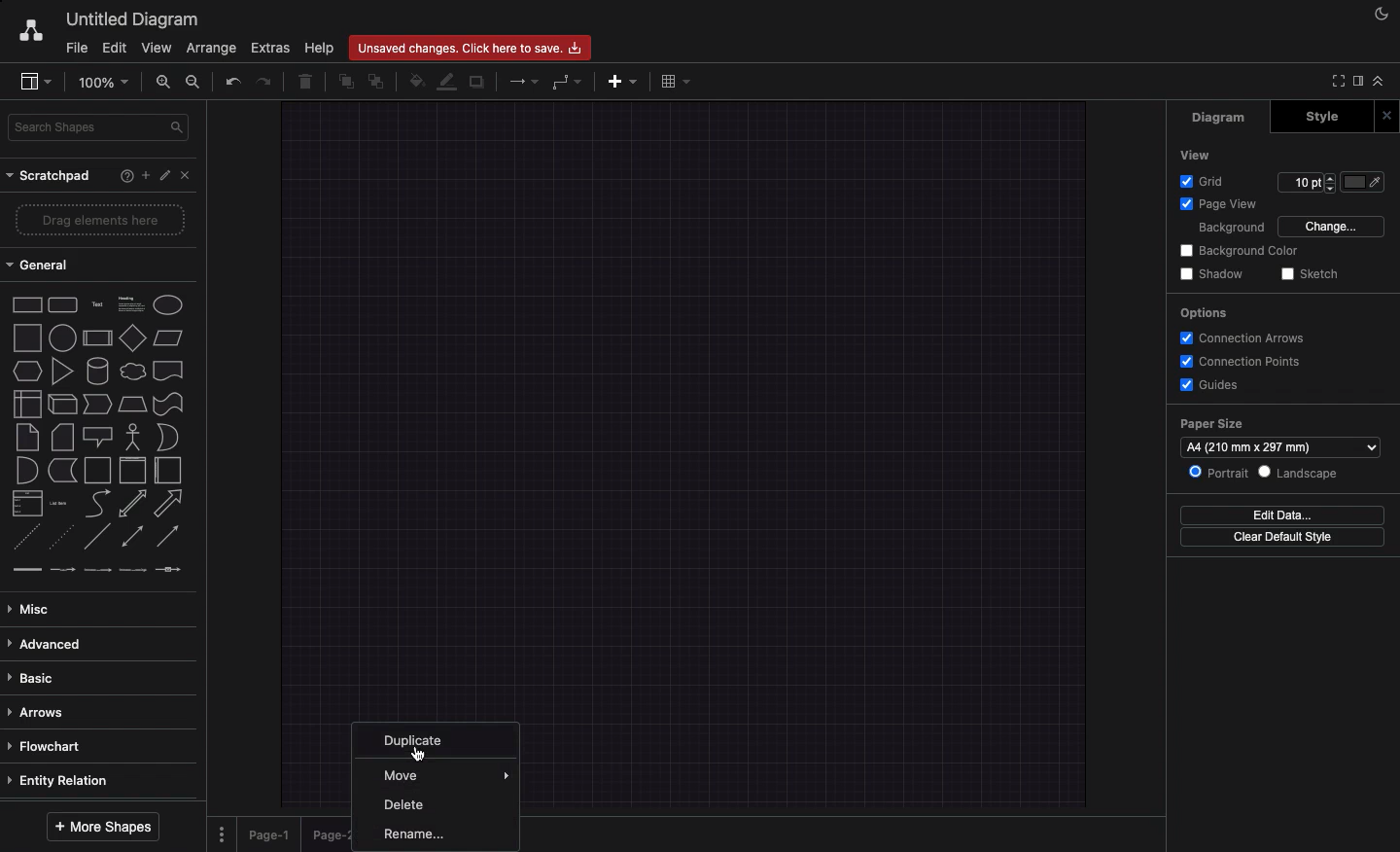 The width and height of the screenshot is (1400, 852). I want to click on Drag elements here, so click(101, 220).